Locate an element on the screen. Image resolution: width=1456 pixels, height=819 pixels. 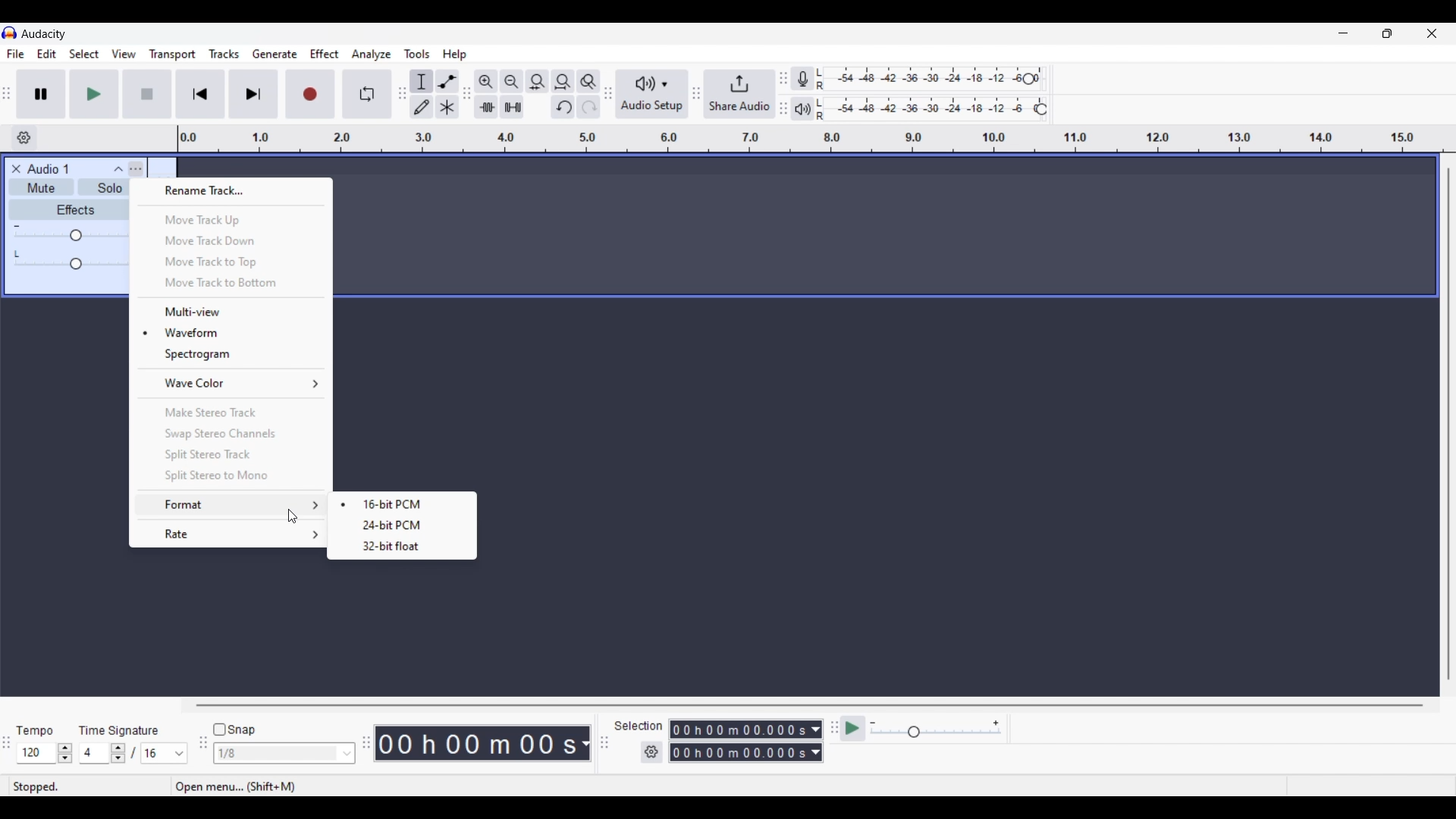
Scale to measure audio length is located at coordinates (817, 139).